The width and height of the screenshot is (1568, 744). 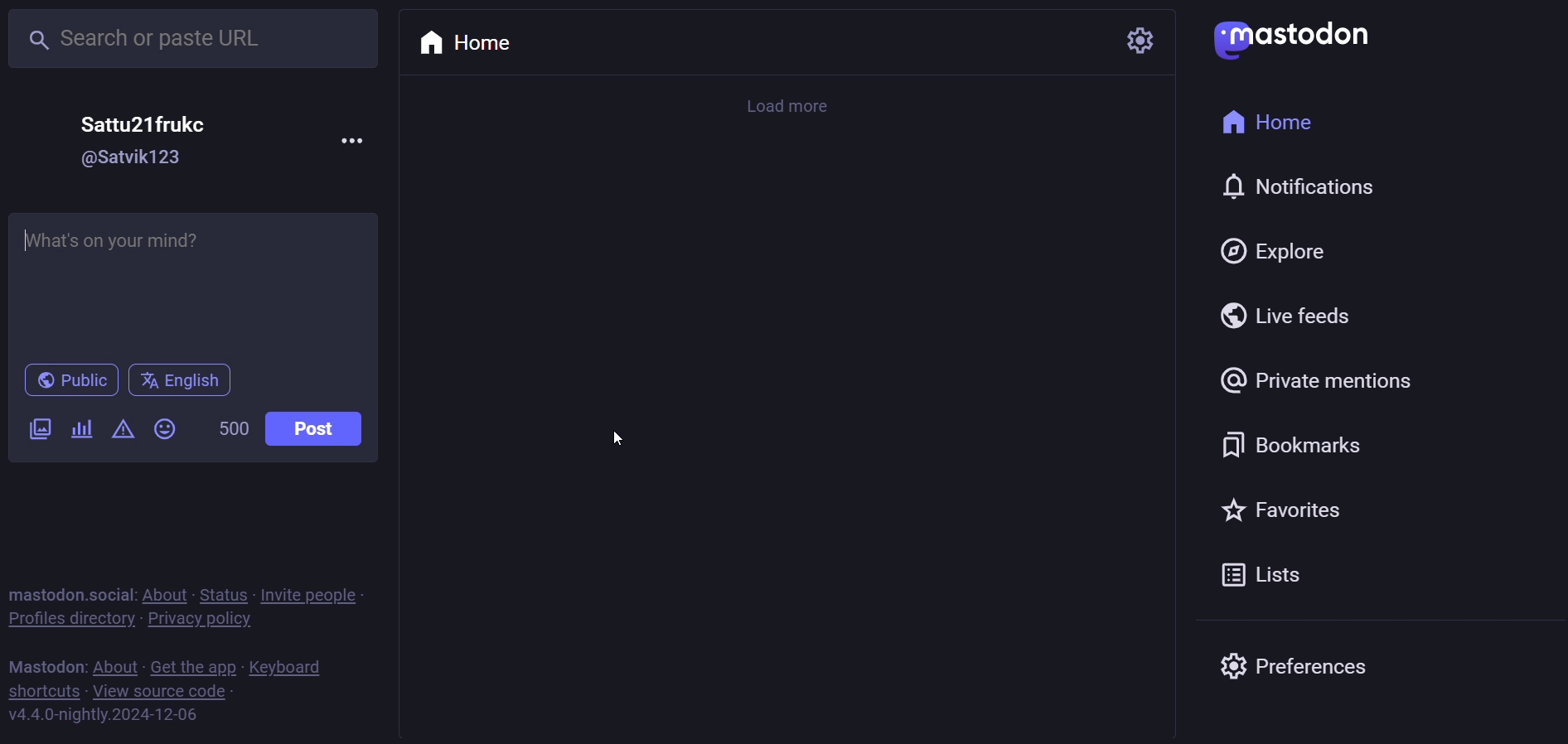 I want to click on explore, so click(x=1275, y=249).